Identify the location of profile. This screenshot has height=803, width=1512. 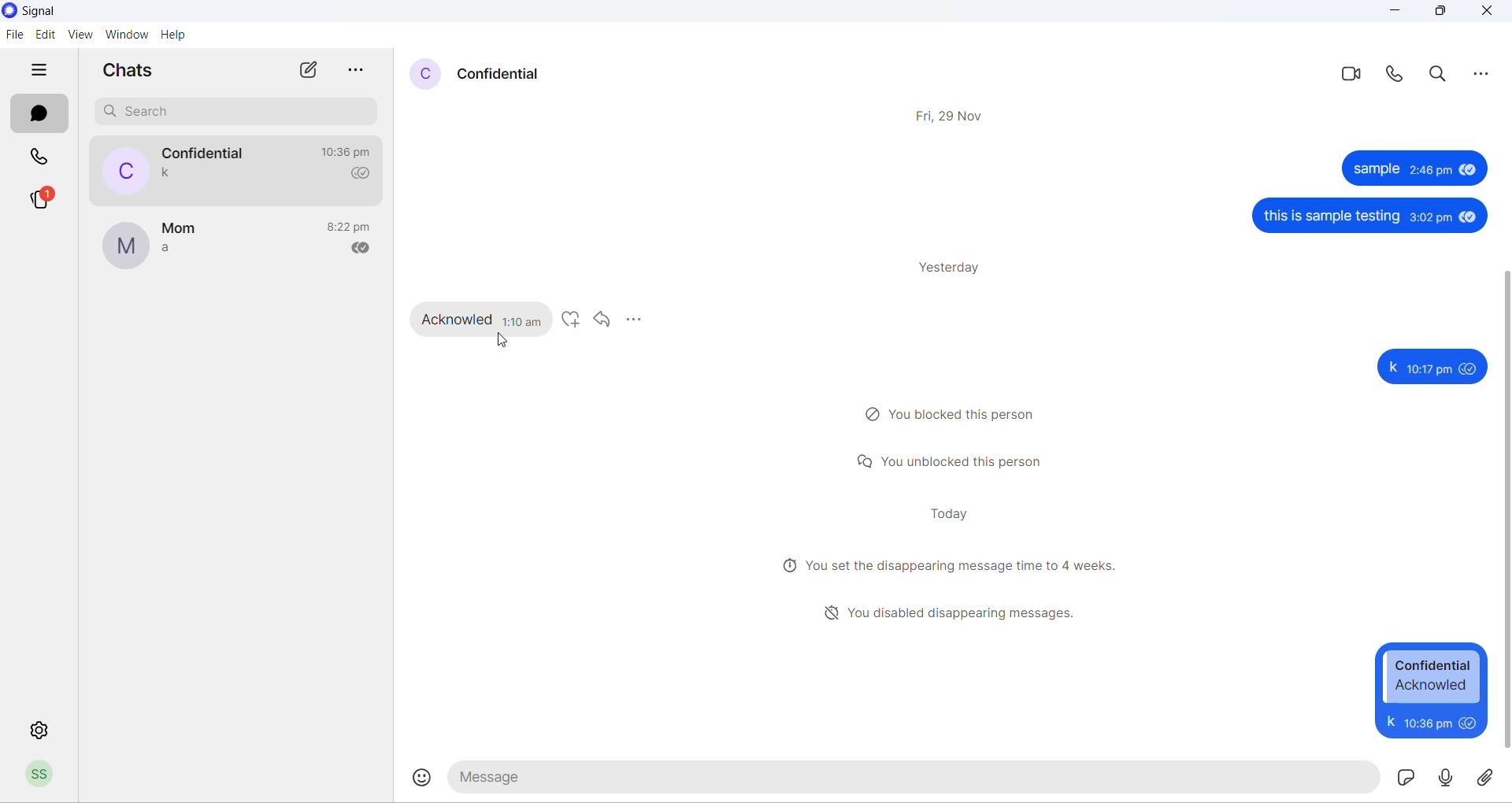
(50, 775).